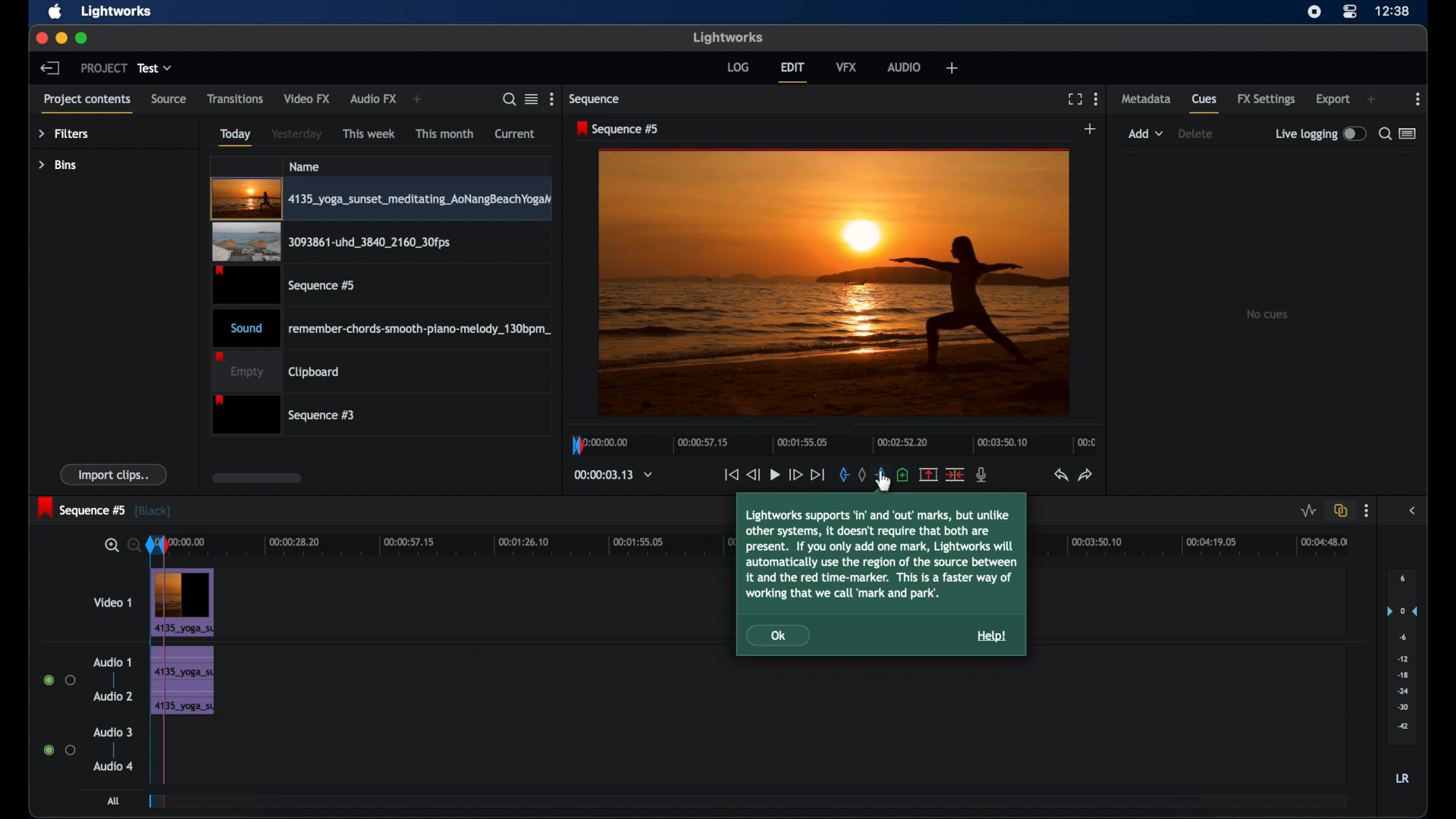 This screenshot has height=819, width=1456. I want to click on more options, so click(1419, 99).